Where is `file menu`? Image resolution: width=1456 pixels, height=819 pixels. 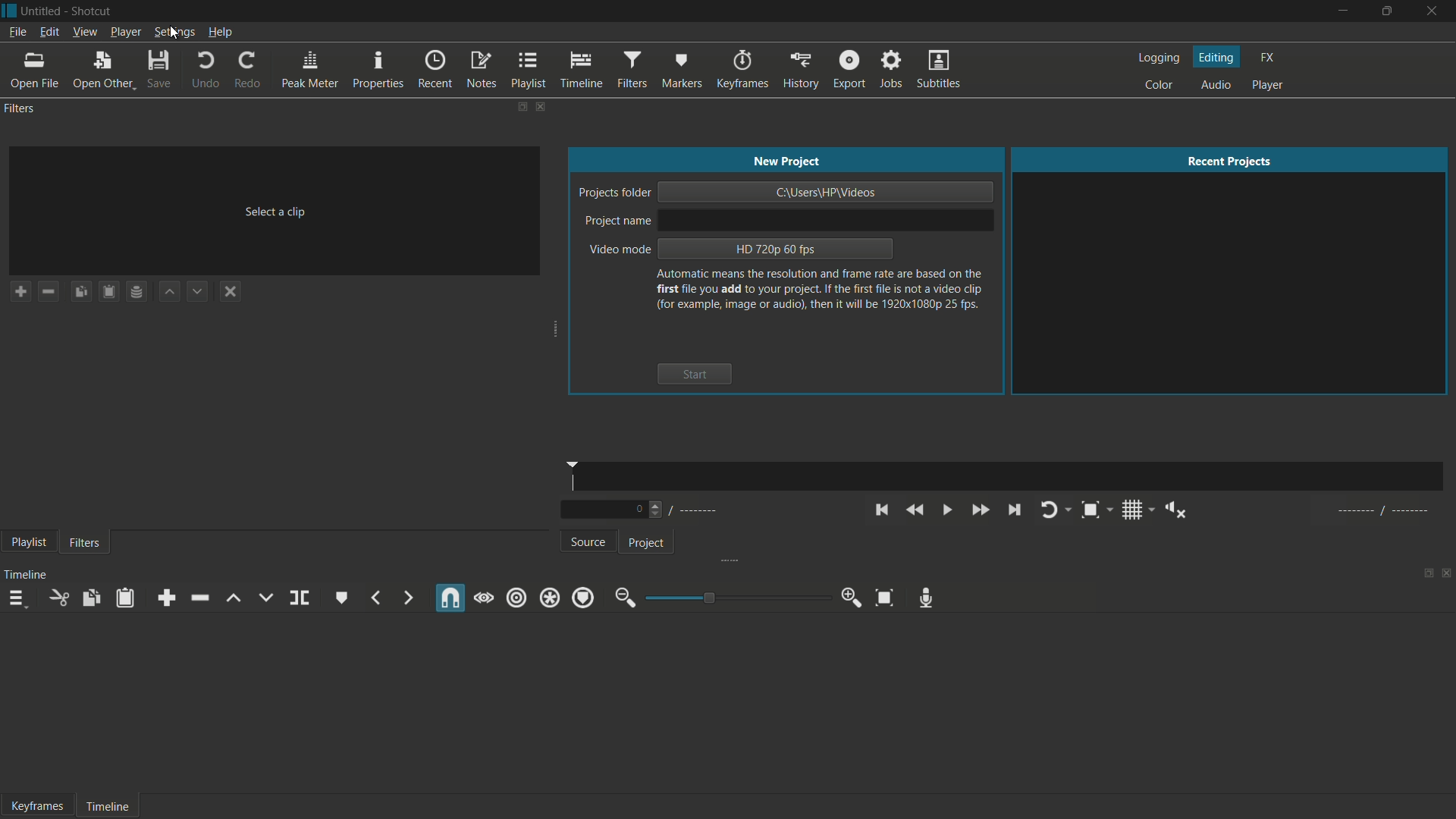
file menu is located at coordinates (14, 33).